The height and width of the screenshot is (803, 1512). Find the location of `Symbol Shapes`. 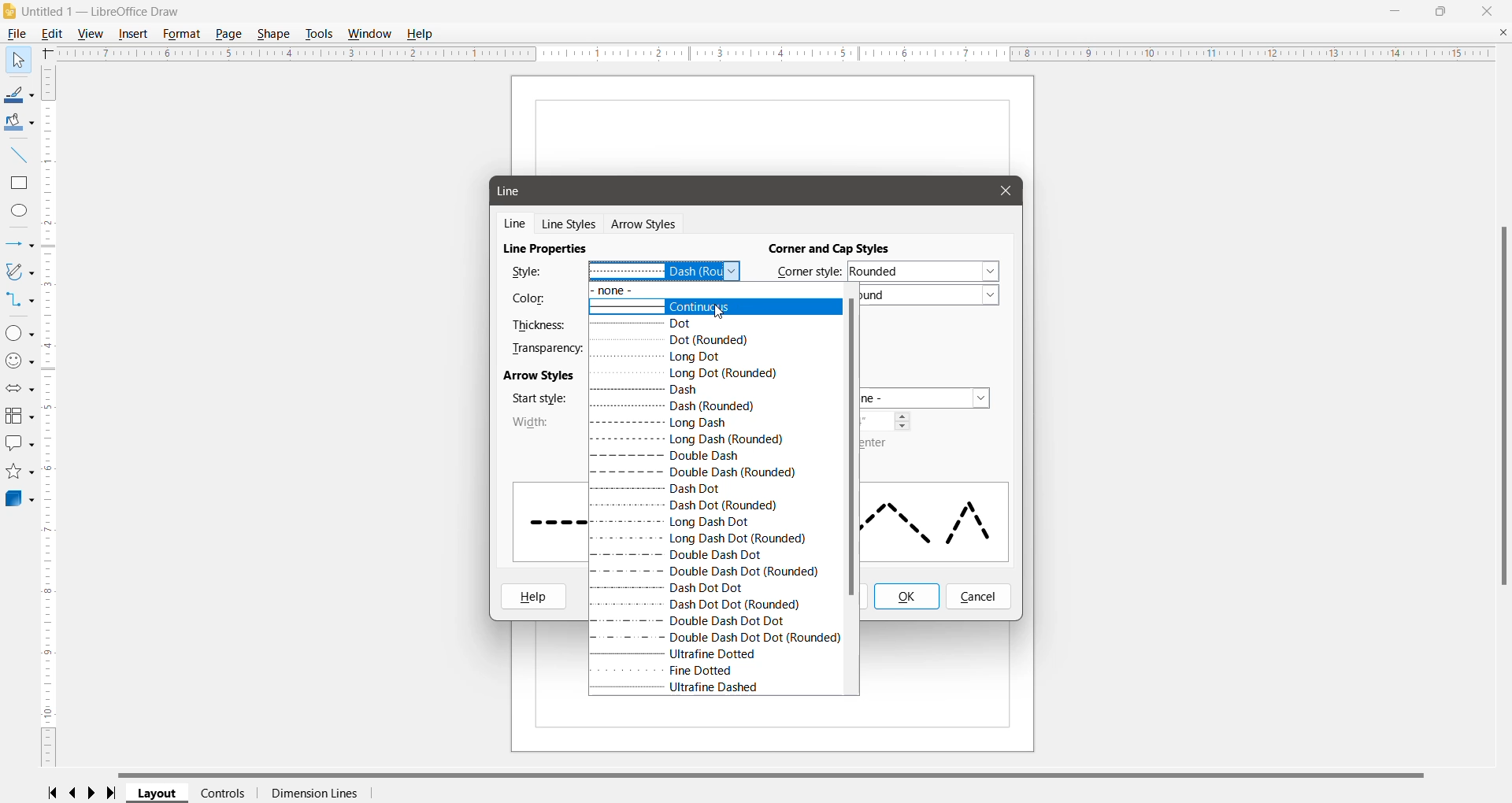

Symbol Shapes is located at coordinates (20, 362).